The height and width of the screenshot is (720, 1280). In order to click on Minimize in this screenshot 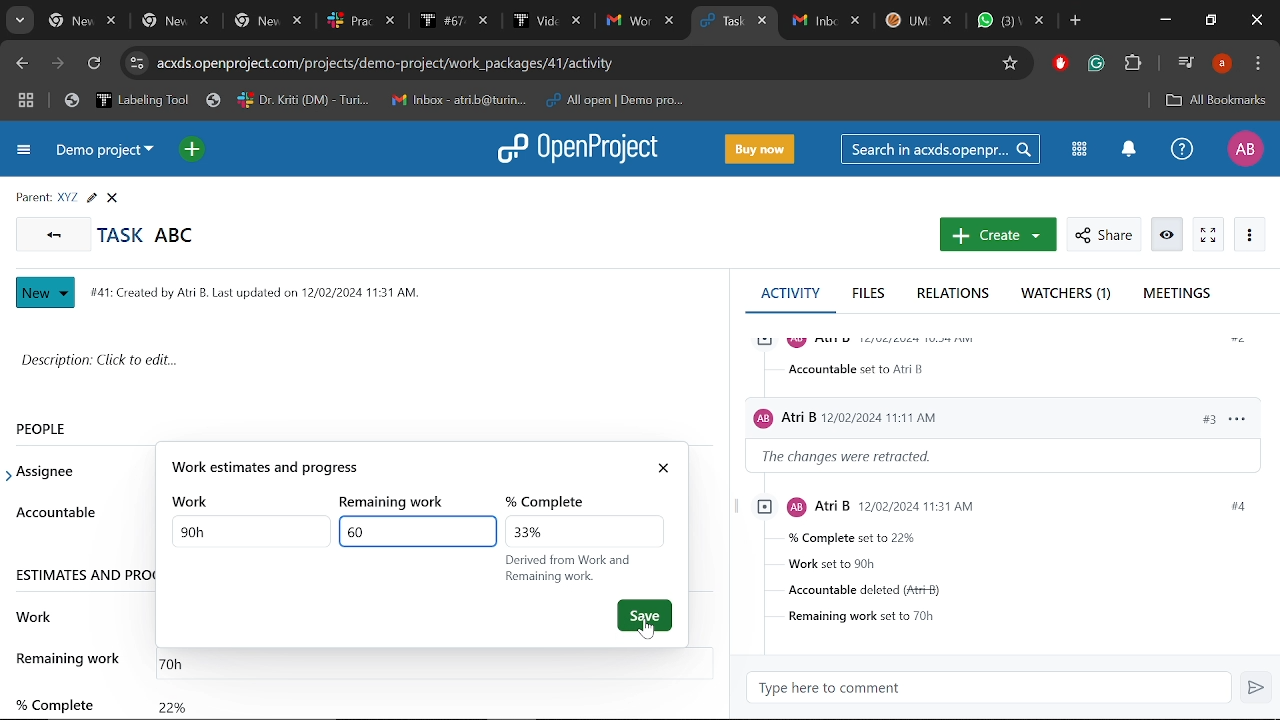, I will do `click(1164, 22)`.